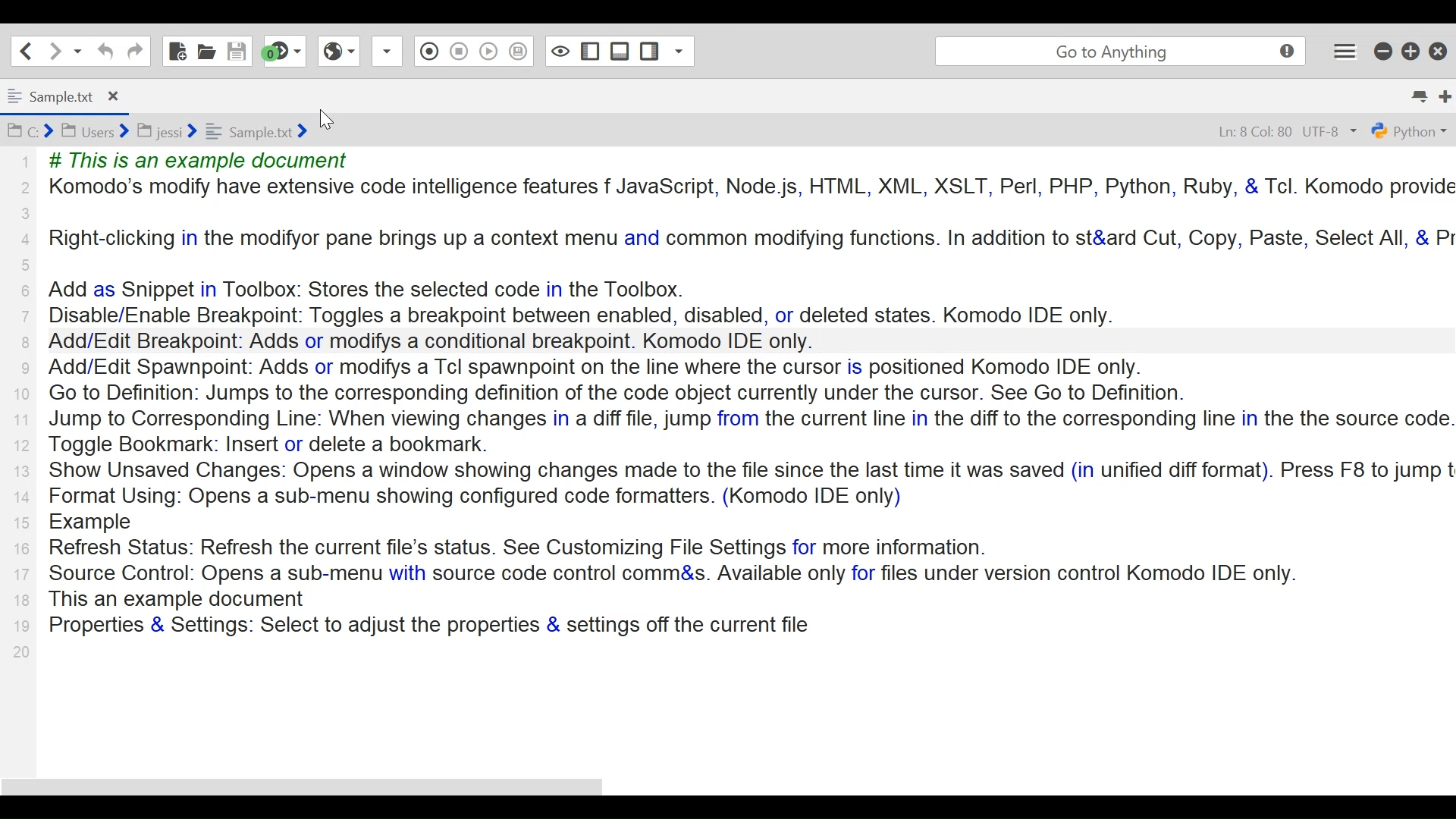 The width and height of the screenshot is (1456, 819). Describe the element at coordinates (93, 130) in the screenshot. I see `Users Folder` at that location.